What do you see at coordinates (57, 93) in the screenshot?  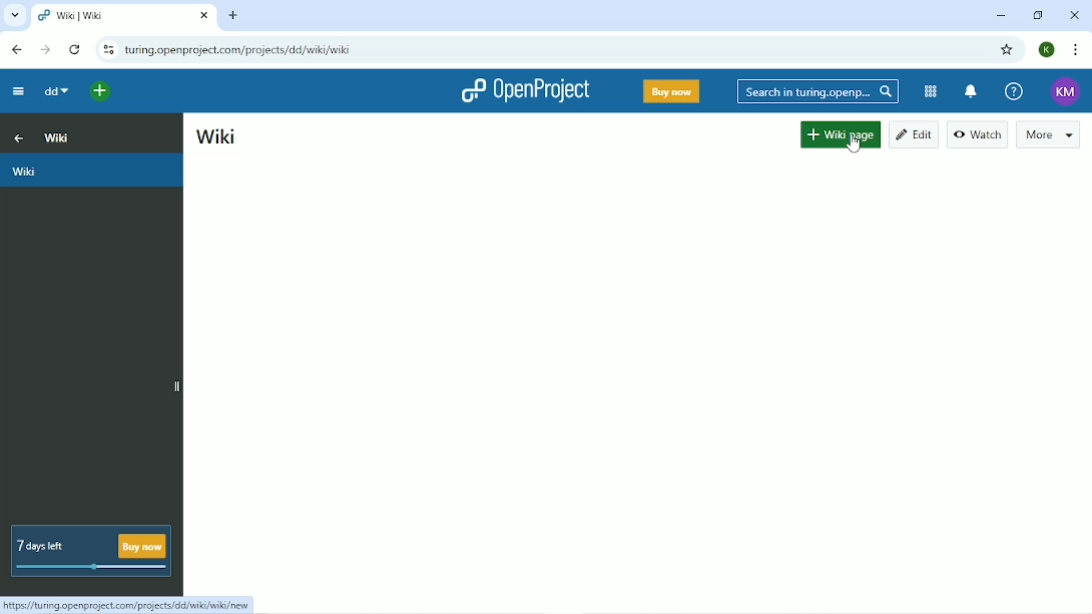 I see `dd` at bounding box center [57, 93].